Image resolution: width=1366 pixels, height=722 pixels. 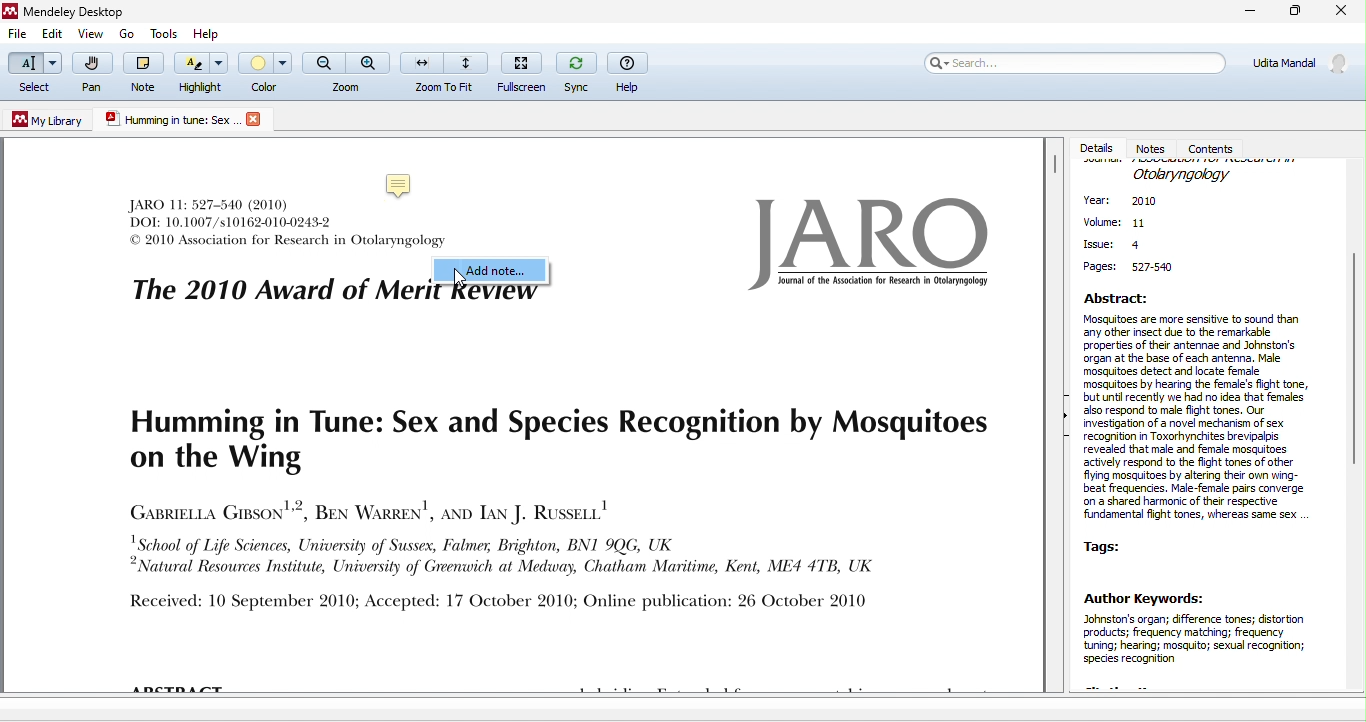 I want to click on year:2010, so click(x=1133, y=203).